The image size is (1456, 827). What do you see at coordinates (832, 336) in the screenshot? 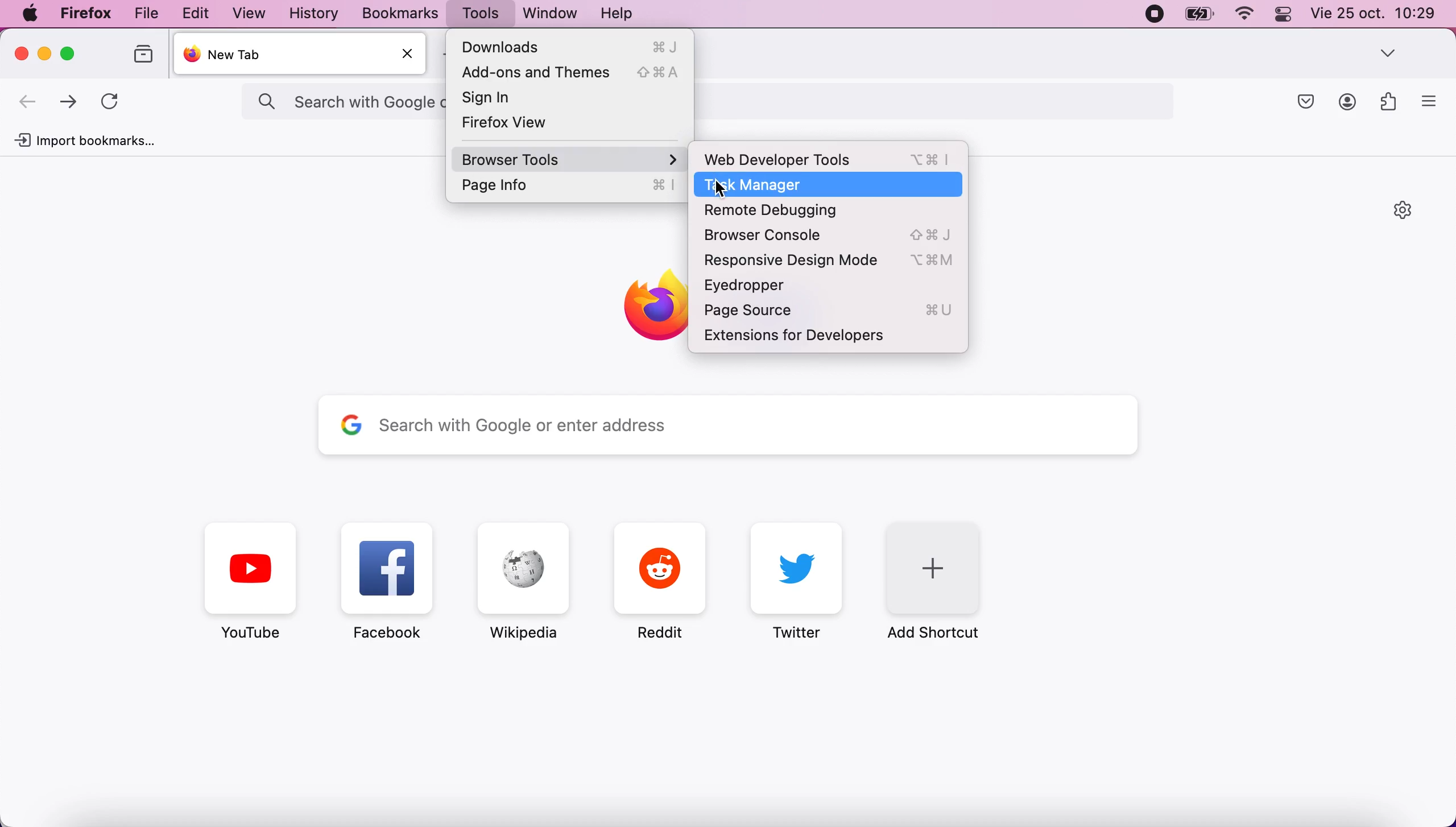
I see `Extensions for Developers` at bounding box center [832, 336].